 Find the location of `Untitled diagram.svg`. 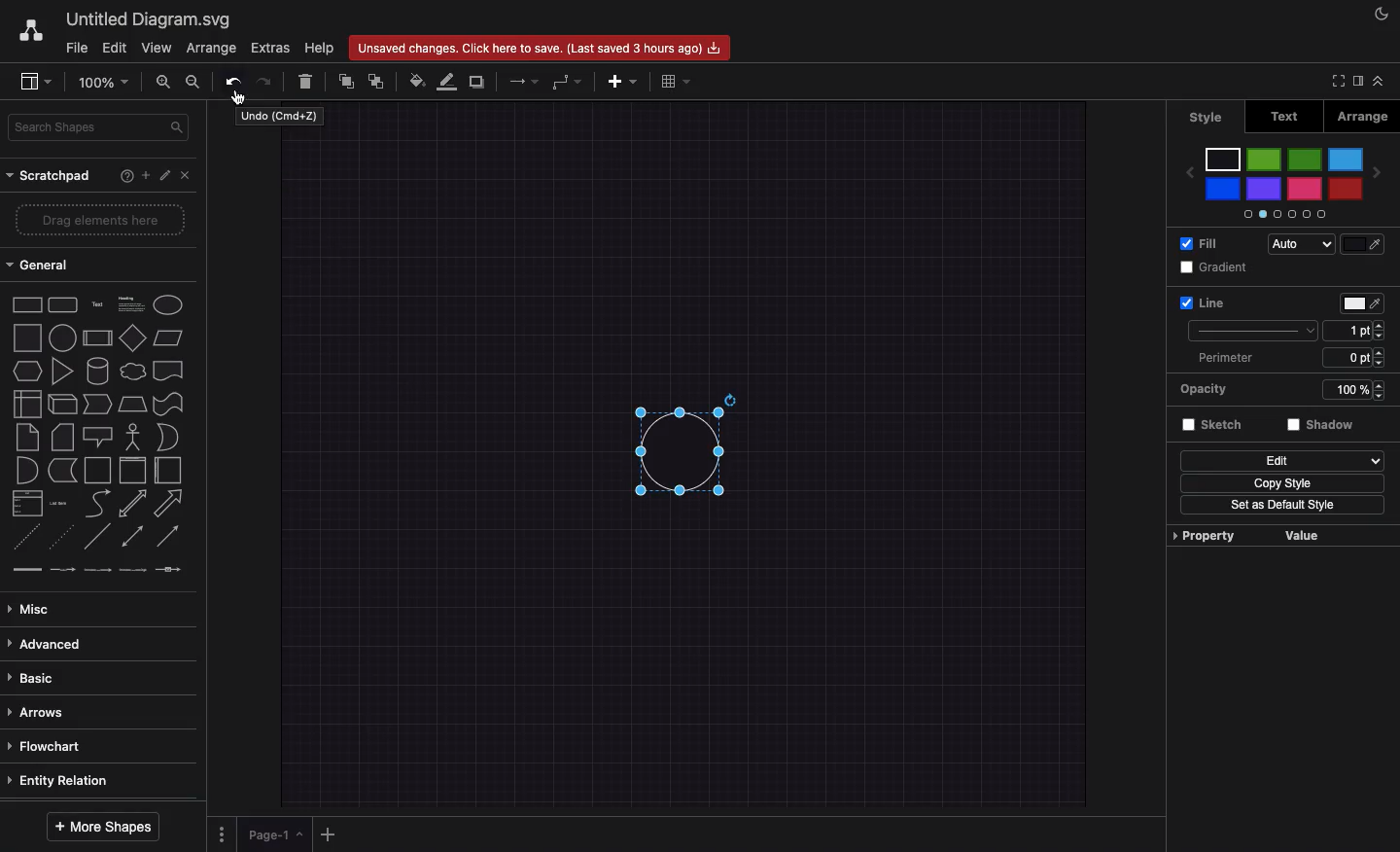

Untitled diagram.svg is located at coordinates (152, 20).